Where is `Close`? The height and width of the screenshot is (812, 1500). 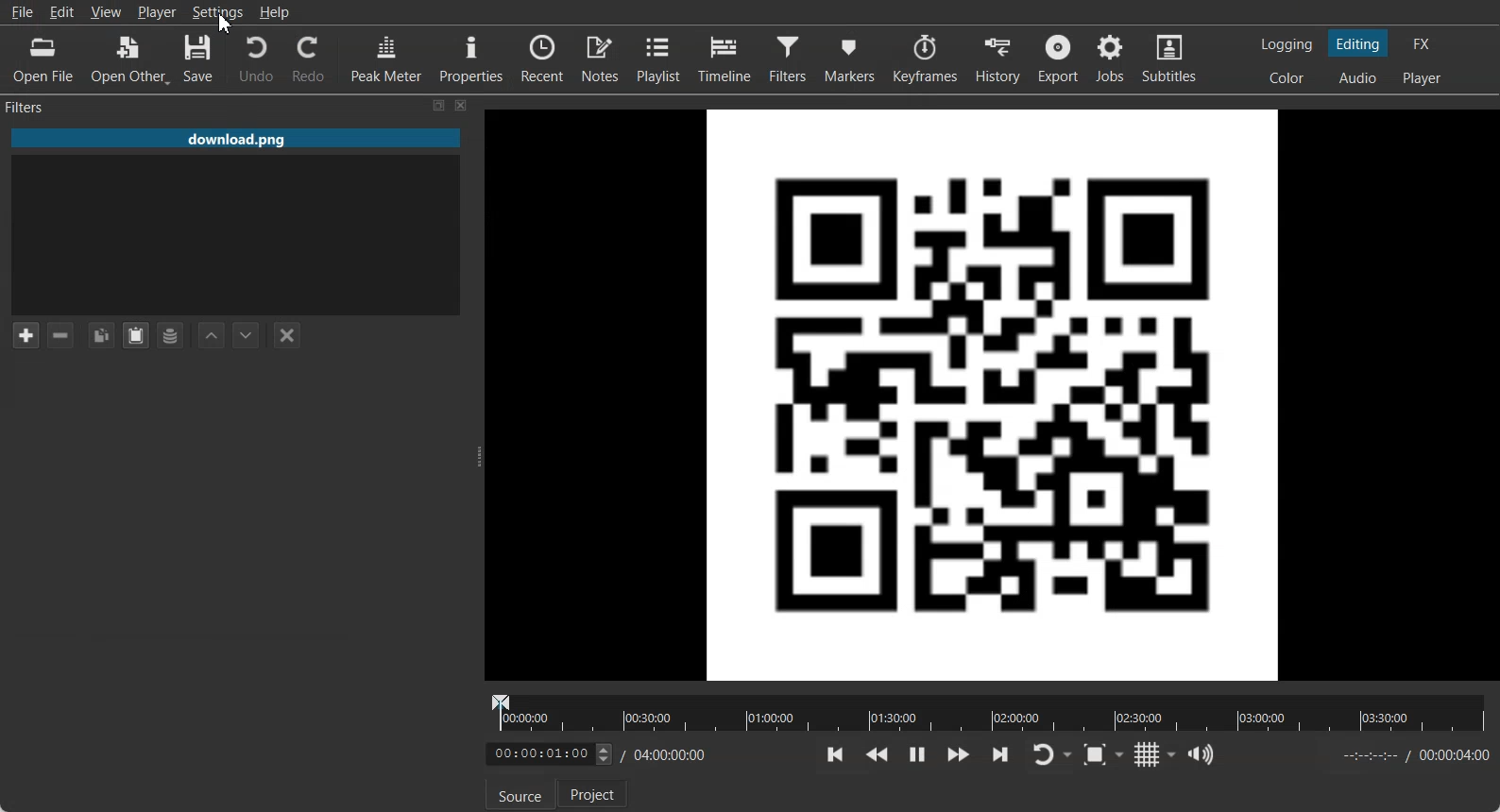
Close is located at coordinates (462, 106).